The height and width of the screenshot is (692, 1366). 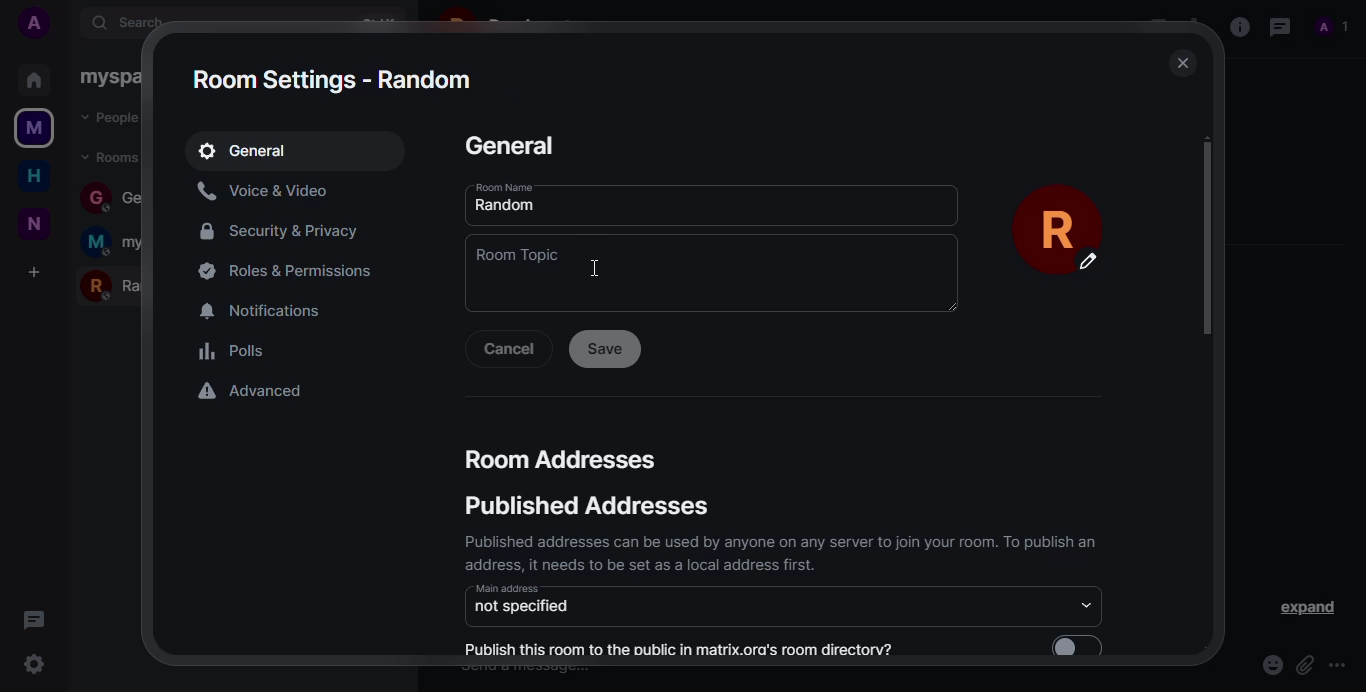 What do you see at coordinates (33, 619) in the screenshot?
I see `threads` at bounding box center [33, 619].